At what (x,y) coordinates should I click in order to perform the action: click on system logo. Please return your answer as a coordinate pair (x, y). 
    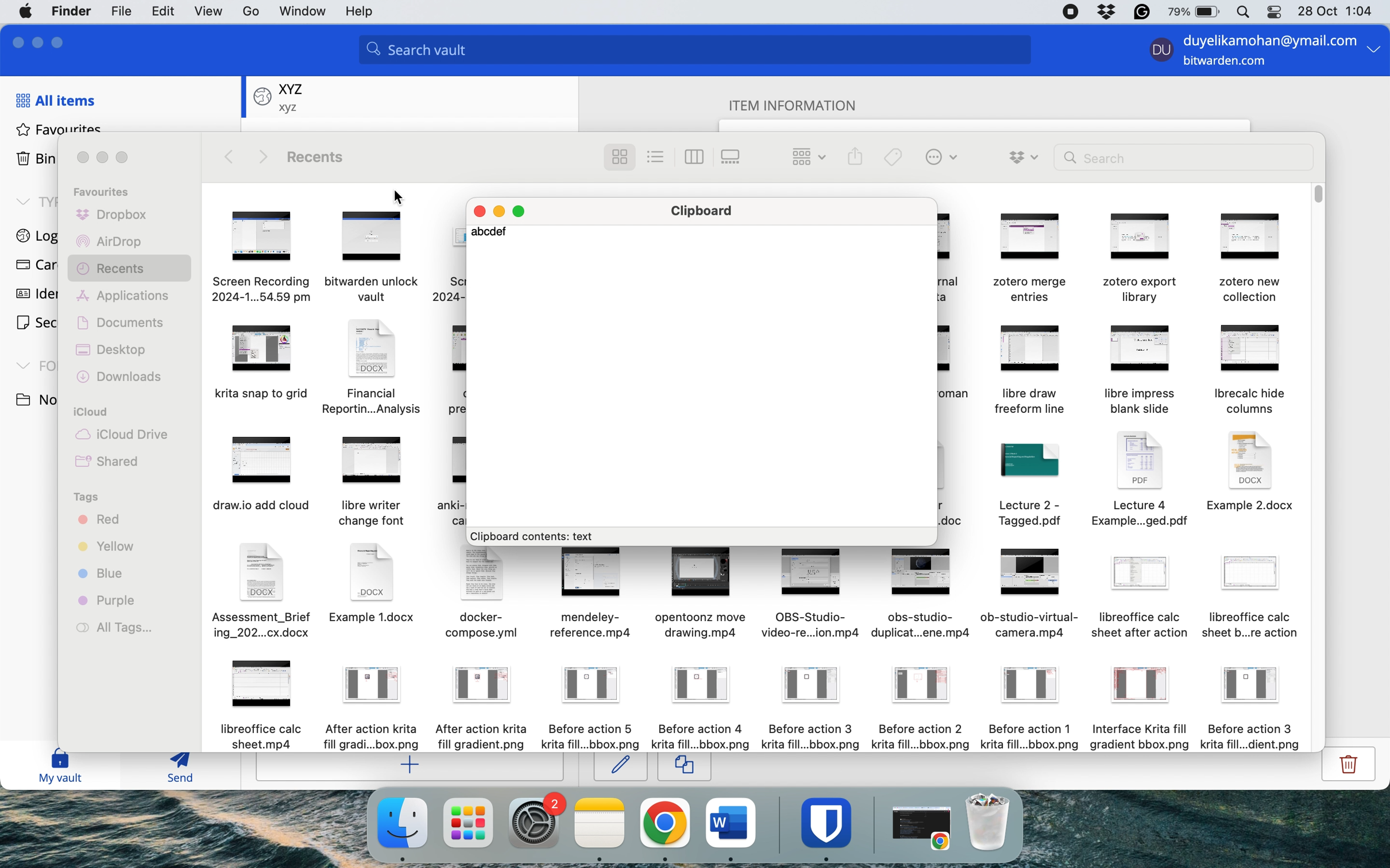
    Looking at the image, I should click on (28, 10).